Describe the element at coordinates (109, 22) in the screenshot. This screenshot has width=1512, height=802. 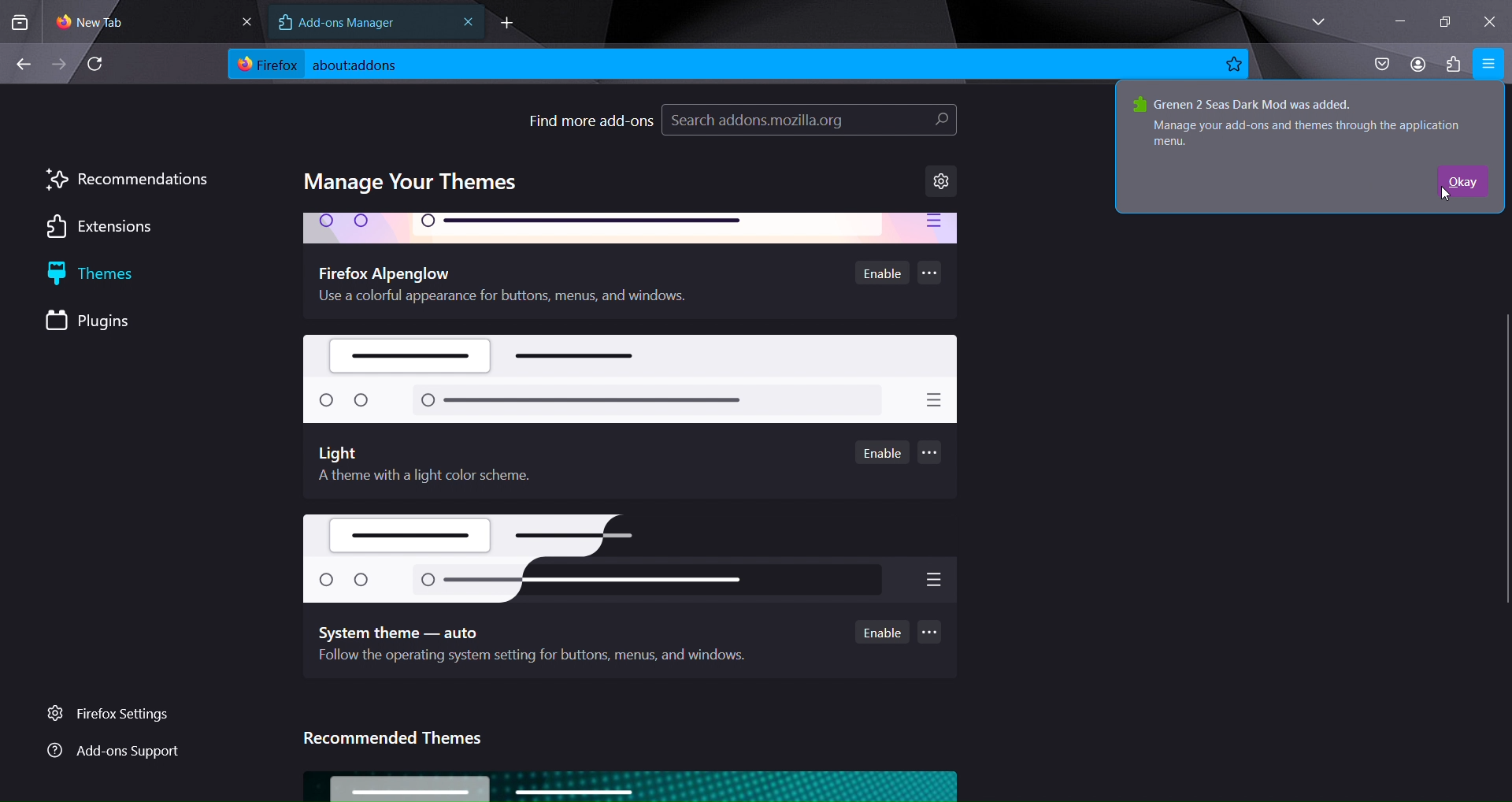
I see `current tab` at that location.